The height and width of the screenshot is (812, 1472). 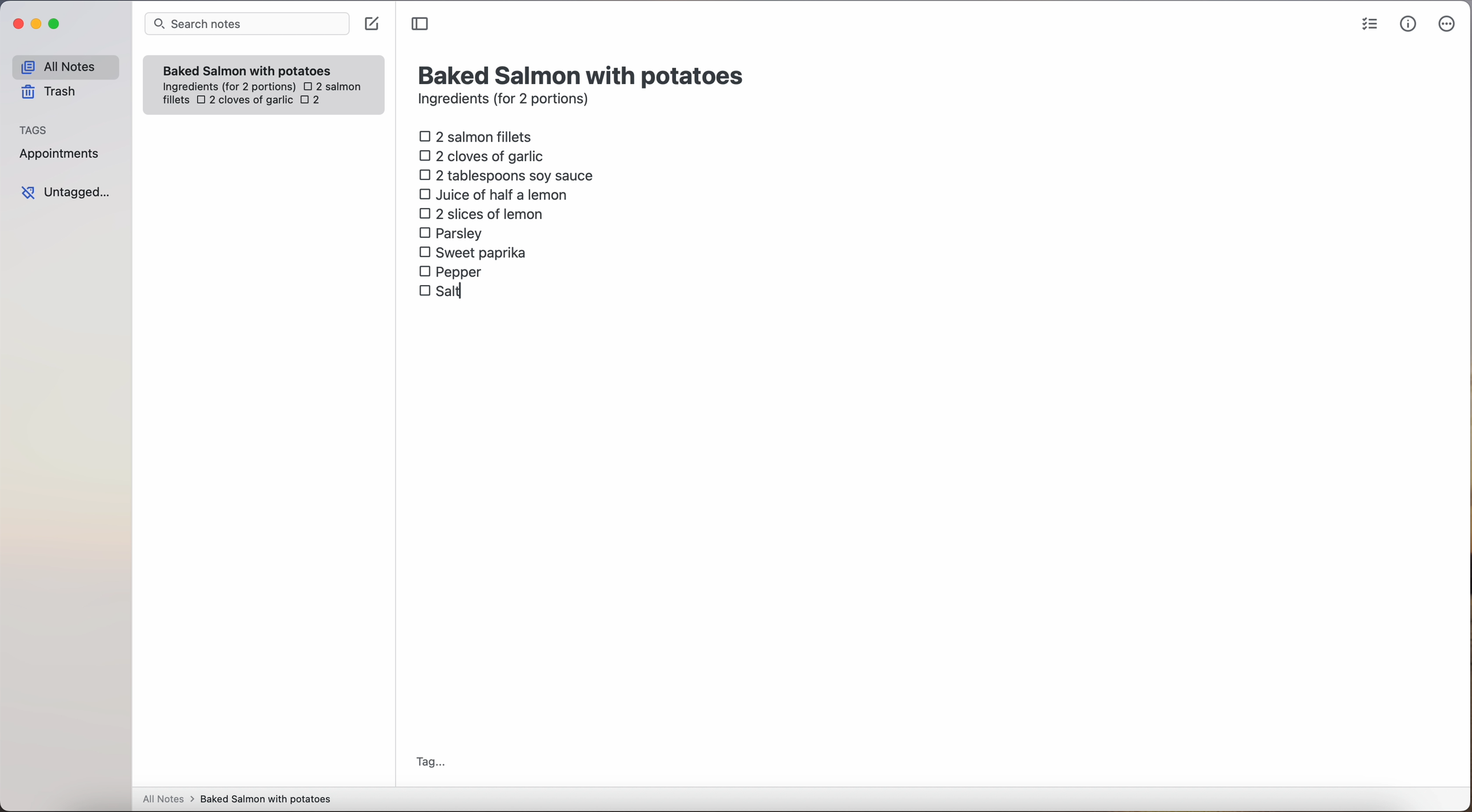 What do you see at coordinates (314, 101) in the screenshot?
I see `2 ` at bounding box center [314, 101].